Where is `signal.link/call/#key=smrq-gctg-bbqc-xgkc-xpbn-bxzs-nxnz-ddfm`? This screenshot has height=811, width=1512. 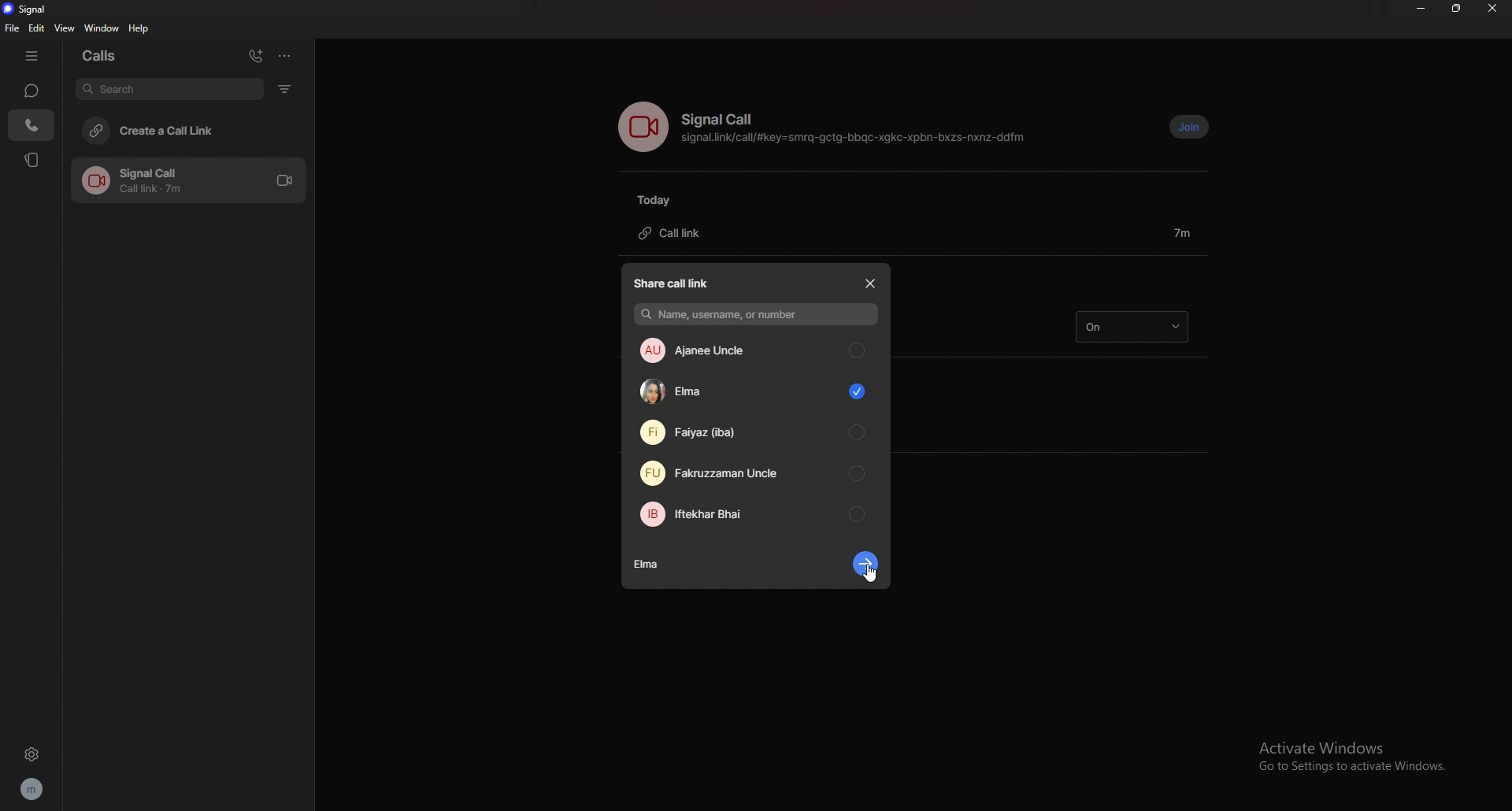 signal.link/call/#key=smrq-gctg-bbqc-xgkc-xpbn-bxzs-nxnz-ddfm is located at coordinates (857, 140).